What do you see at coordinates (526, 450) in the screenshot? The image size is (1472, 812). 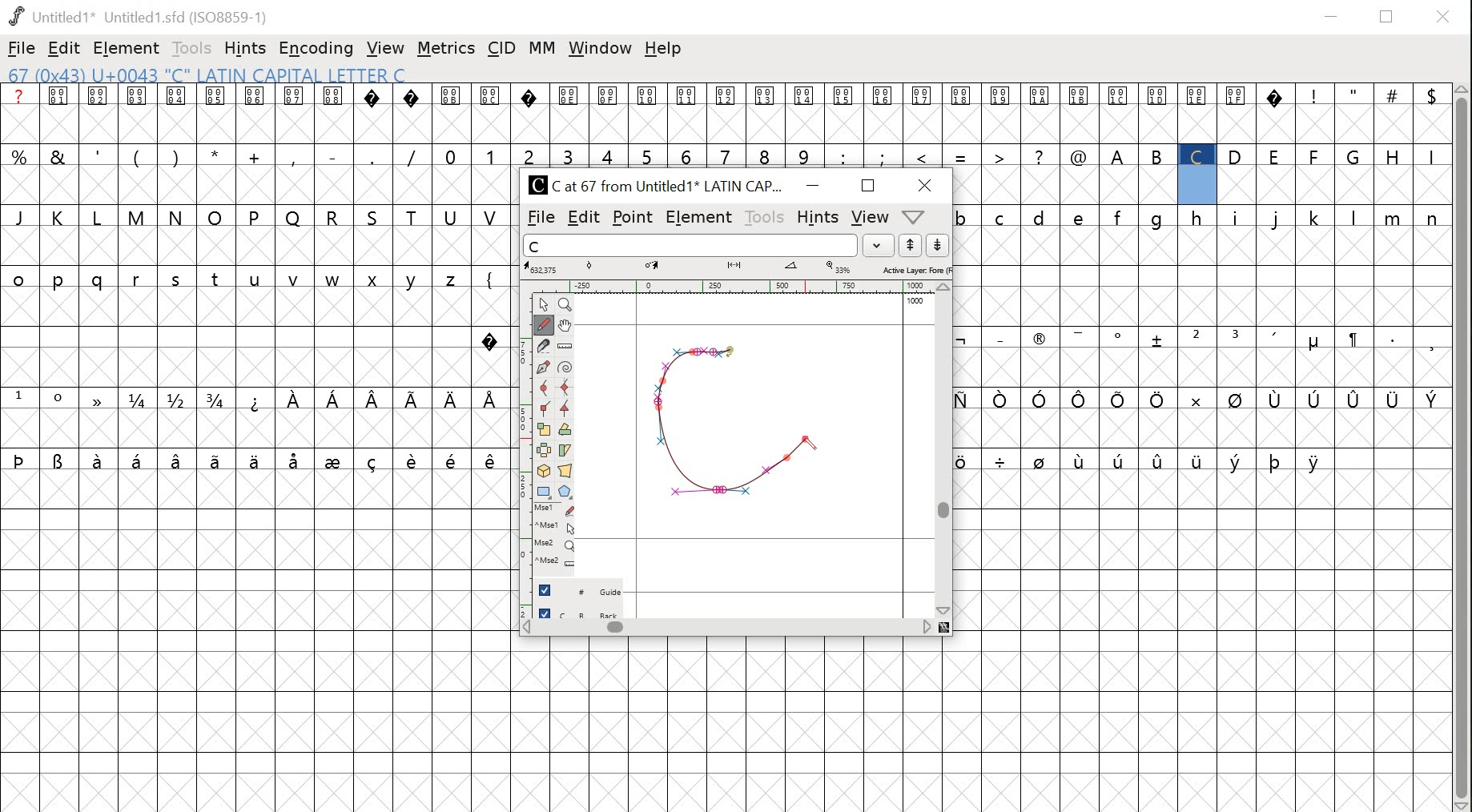 I see `ruler` at bounding box center [526, 450].